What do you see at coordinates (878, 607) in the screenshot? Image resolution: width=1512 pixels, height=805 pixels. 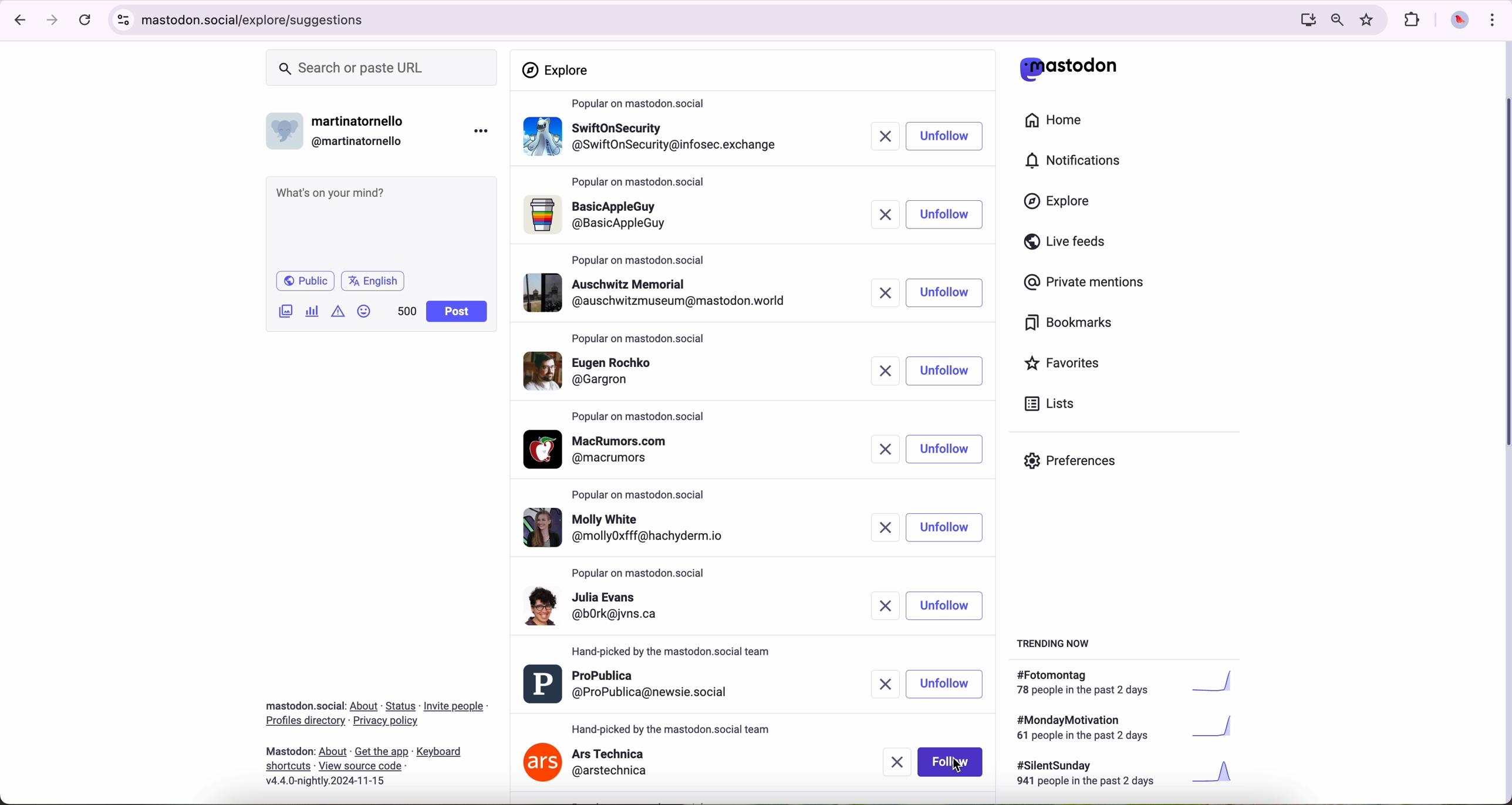 I see `remove` at bounding box center [878, 607].